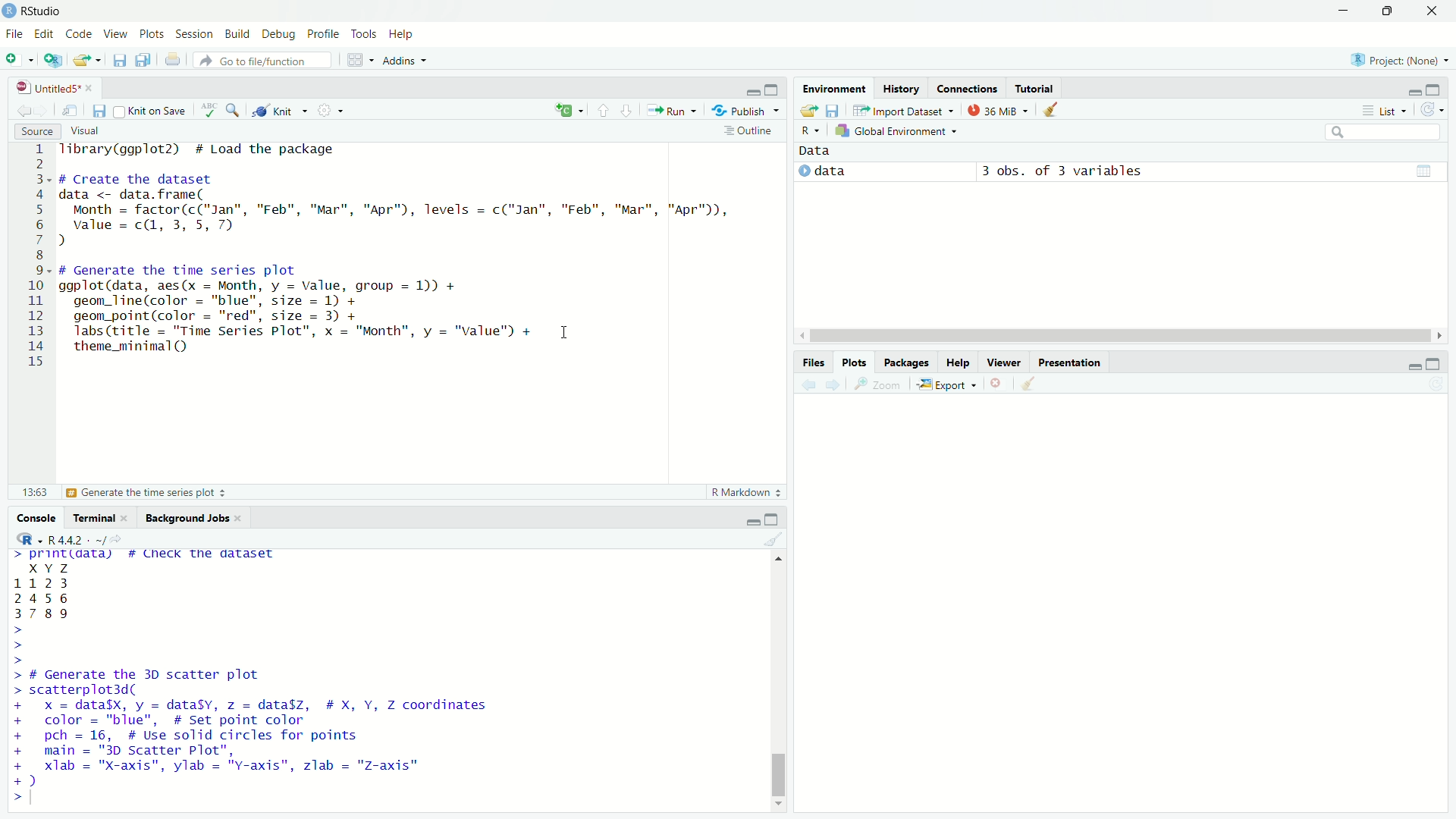  What do you see at coordinates (968, 88) in the screenshot?
I see `Connections` at bounding box center [968, 88].